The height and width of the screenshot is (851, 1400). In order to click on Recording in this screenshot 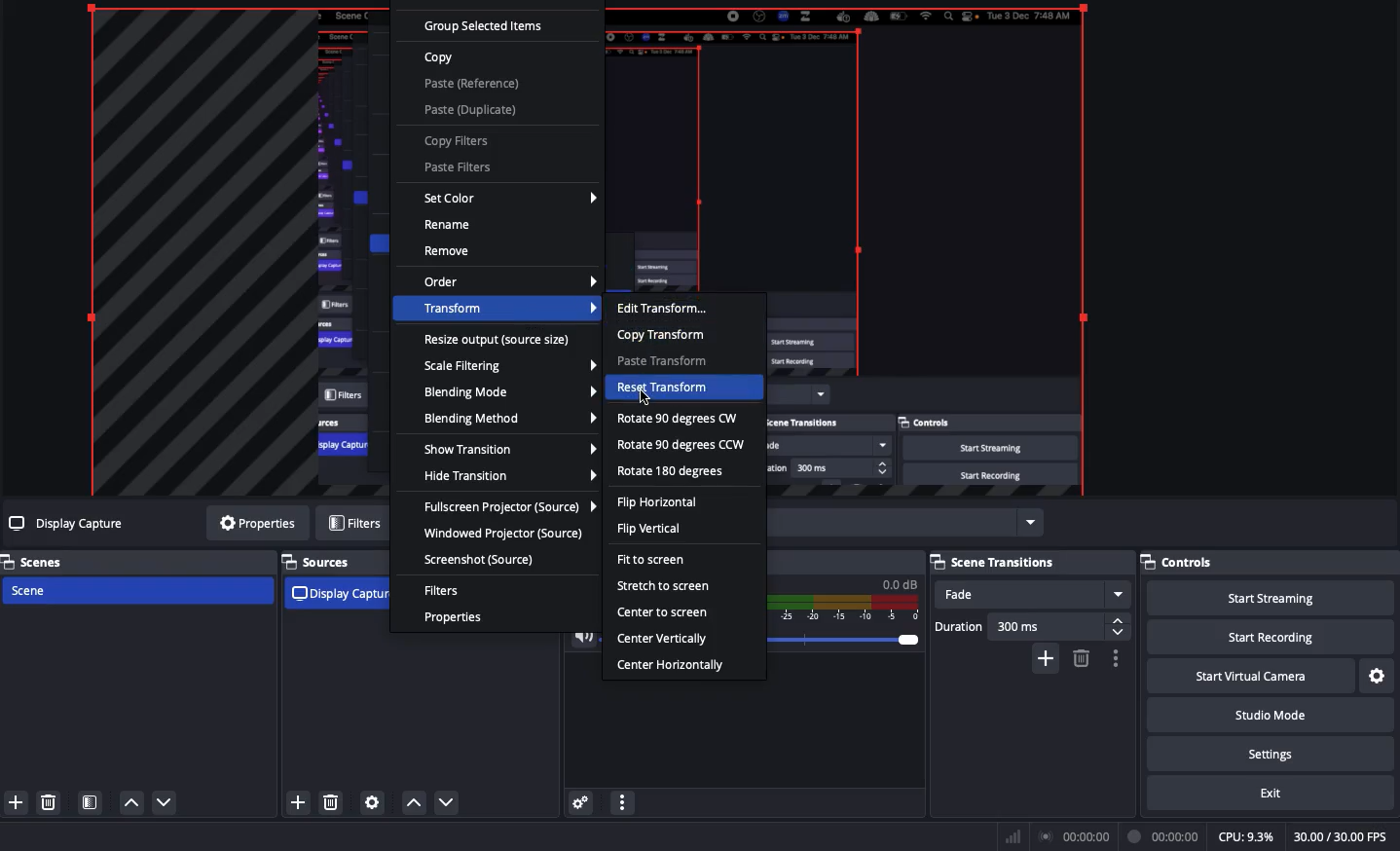, I will do `click(1165, 836)`.